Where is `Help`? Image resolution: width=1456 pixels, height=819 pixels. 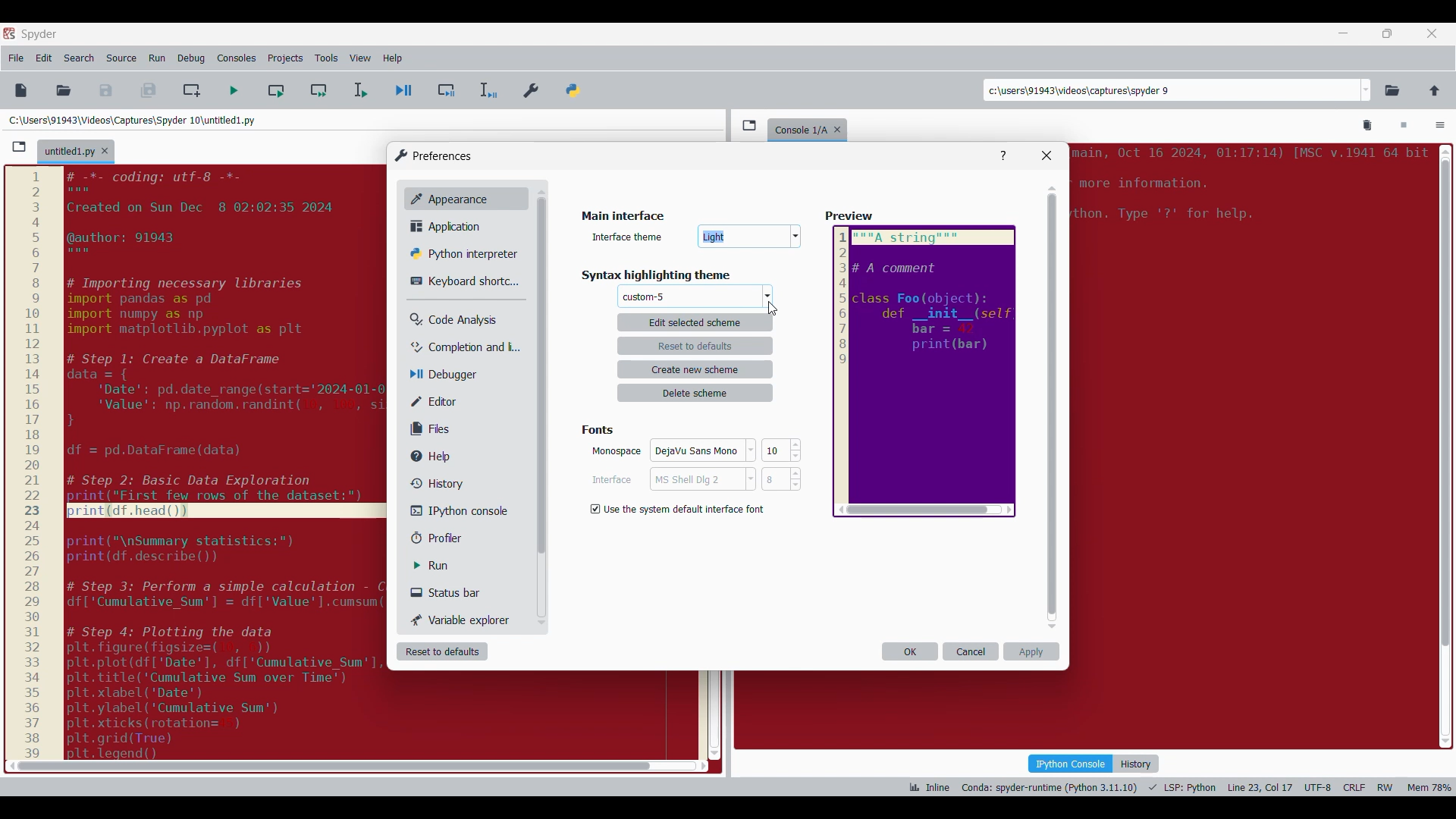
Help is located at coordinates (438, 457).